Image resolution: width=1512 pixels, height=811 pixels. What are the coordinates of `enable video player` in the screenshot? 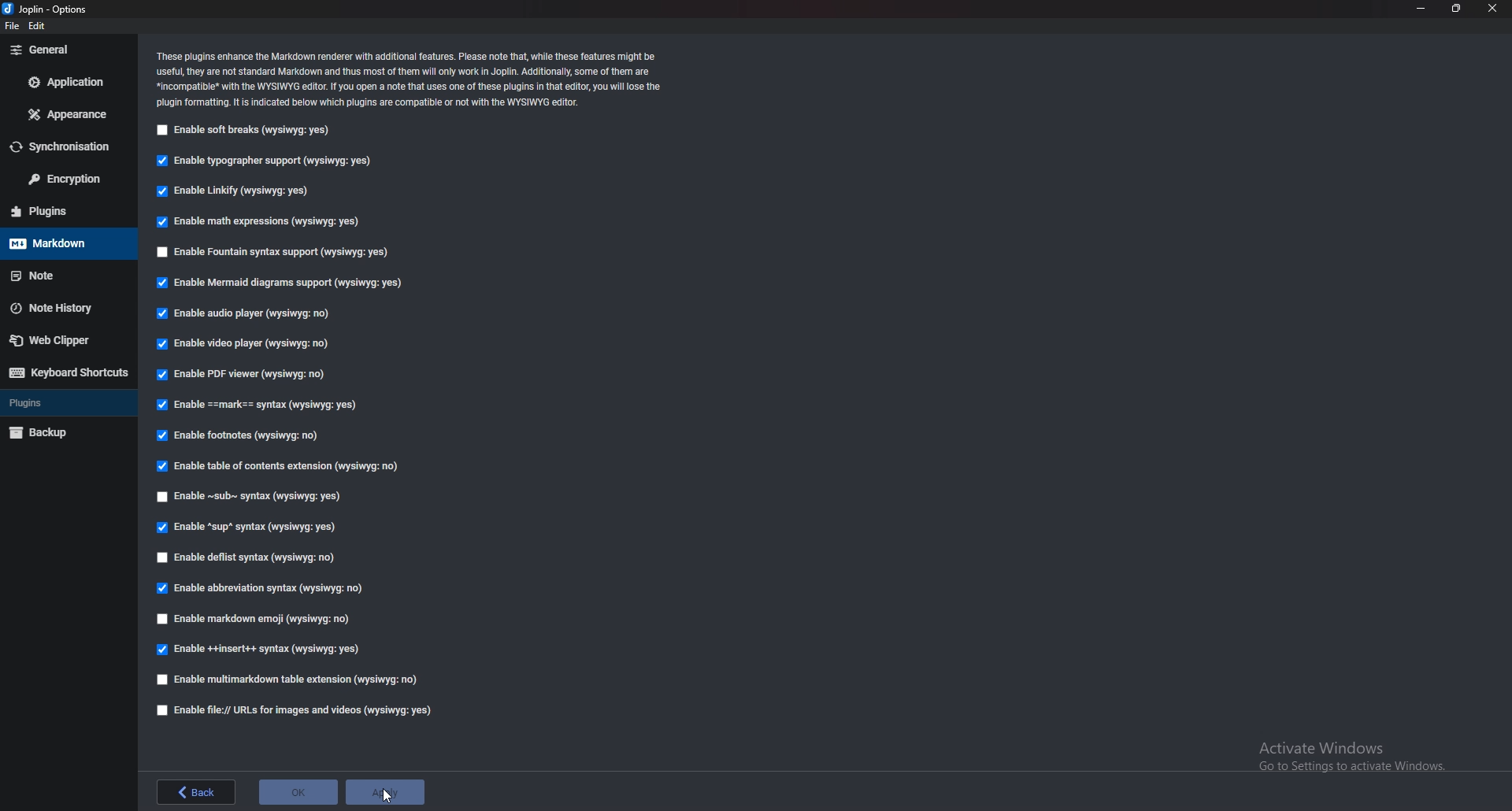 It's located at (244, 346).